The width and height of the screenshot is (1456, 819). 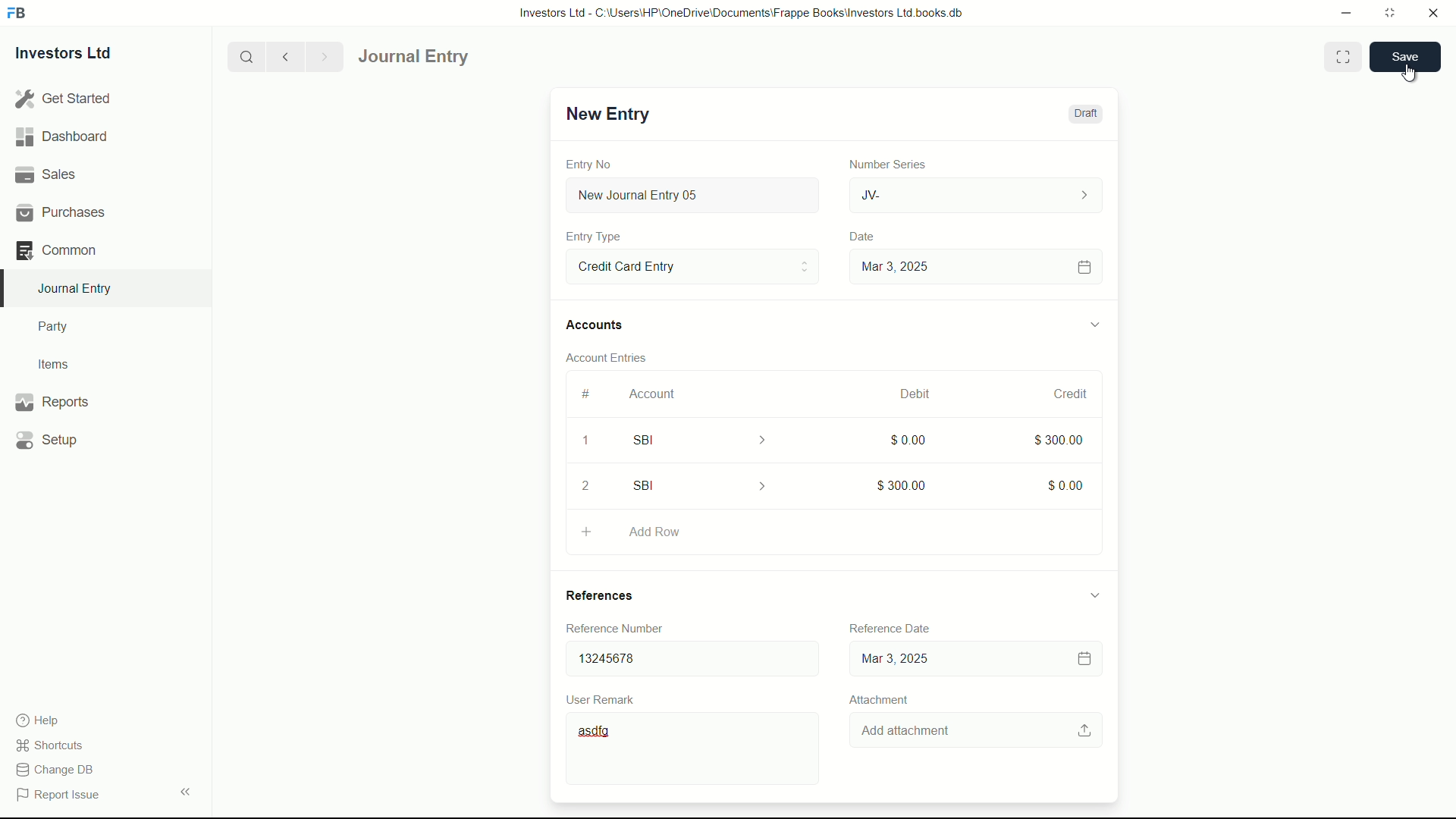 What do you see at coordinates (605, 114) in the screenshot?
I see `New Entry` at bounding box center [605, 114].